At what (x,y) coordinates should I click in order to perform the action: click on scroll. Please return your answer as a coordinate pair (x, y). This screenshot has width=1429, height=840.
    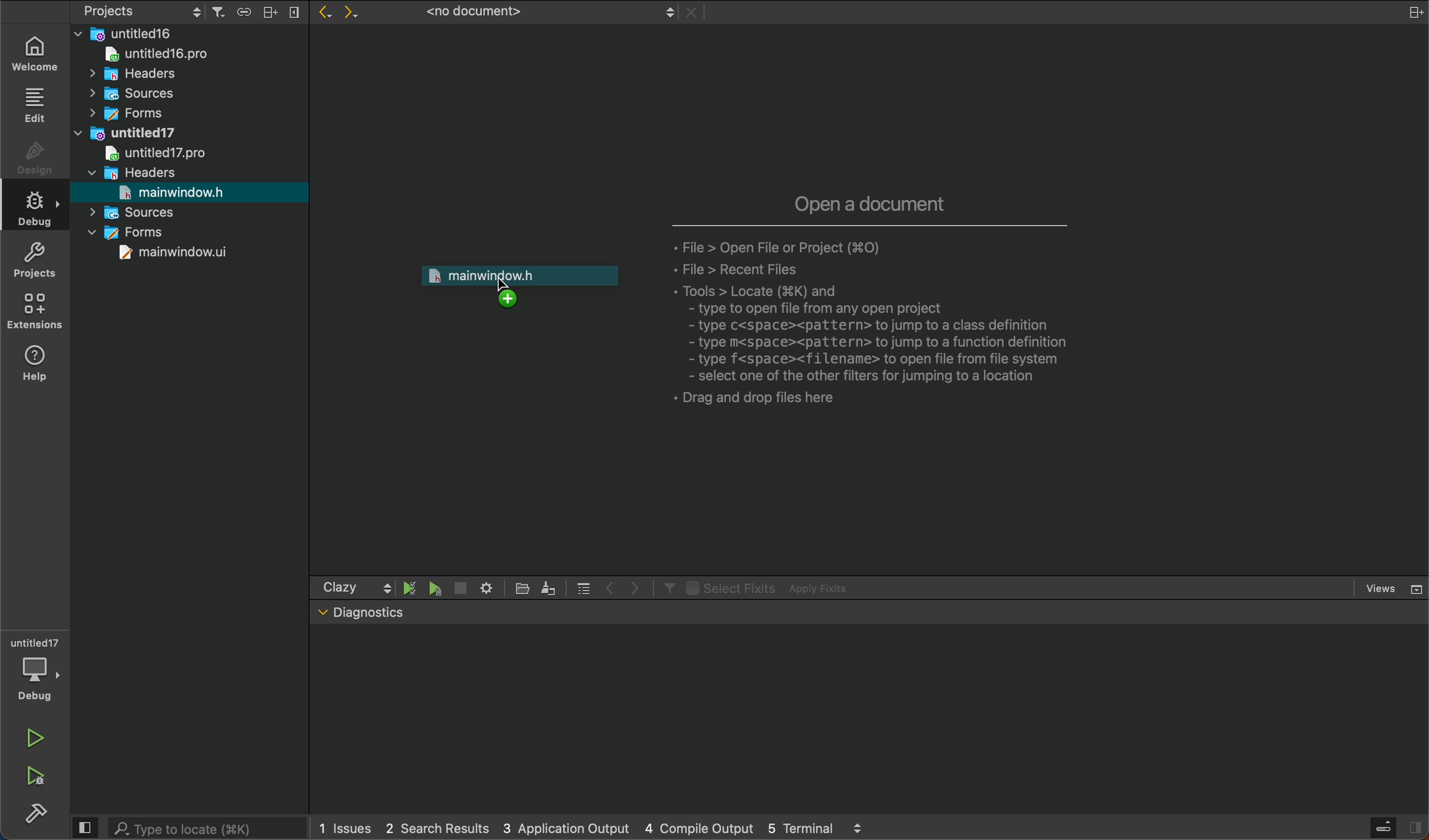
    Looking at the image, I should click on (387, 587).